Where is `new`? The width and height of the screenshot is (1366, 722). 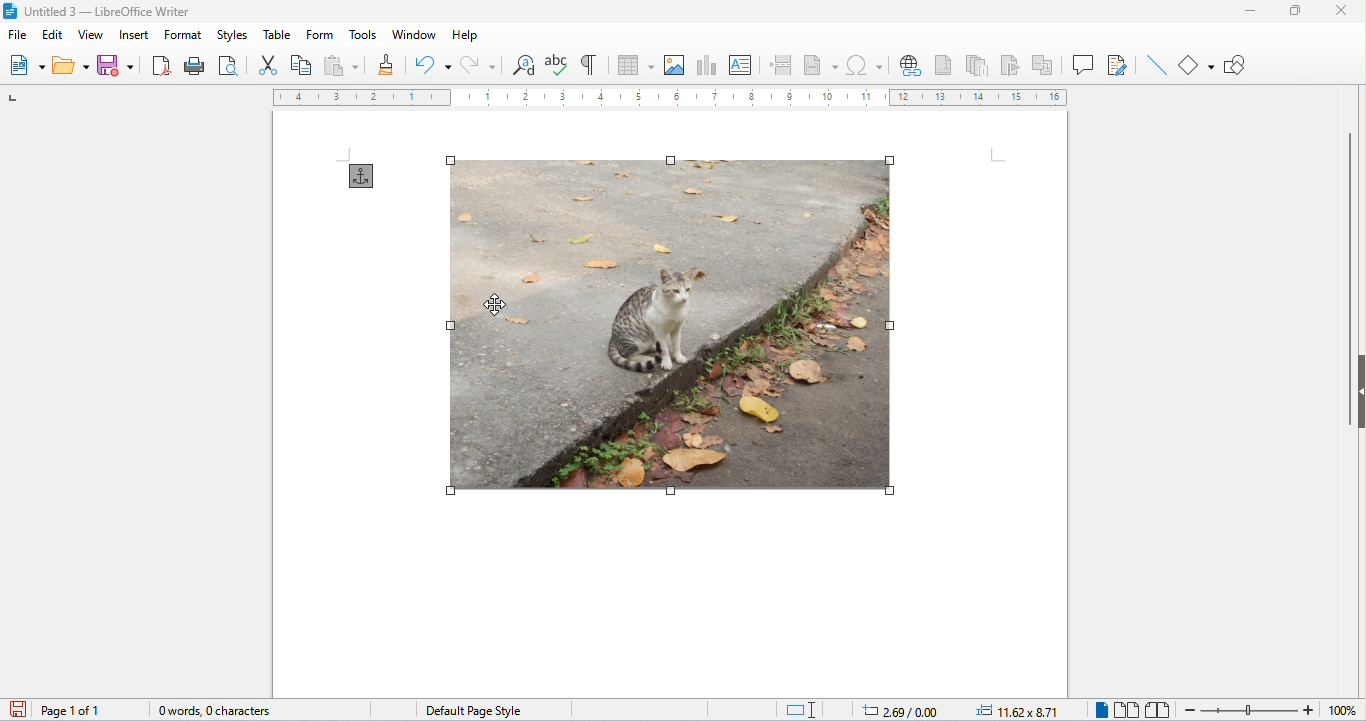 new is located at coordinates (28, 65).